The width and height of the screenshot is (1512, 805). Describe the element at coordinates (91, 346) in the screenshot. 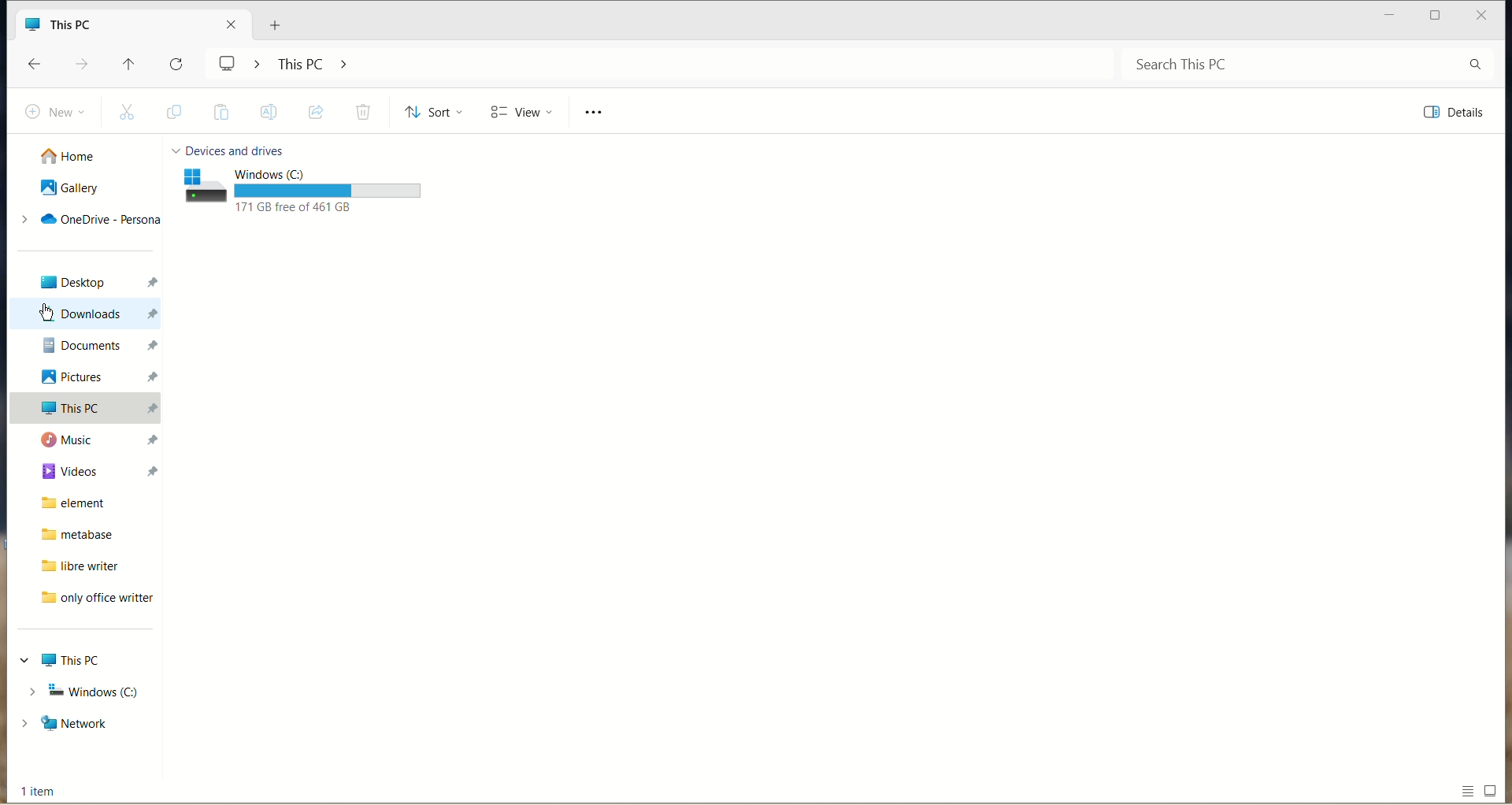

I see `documents` at that location.